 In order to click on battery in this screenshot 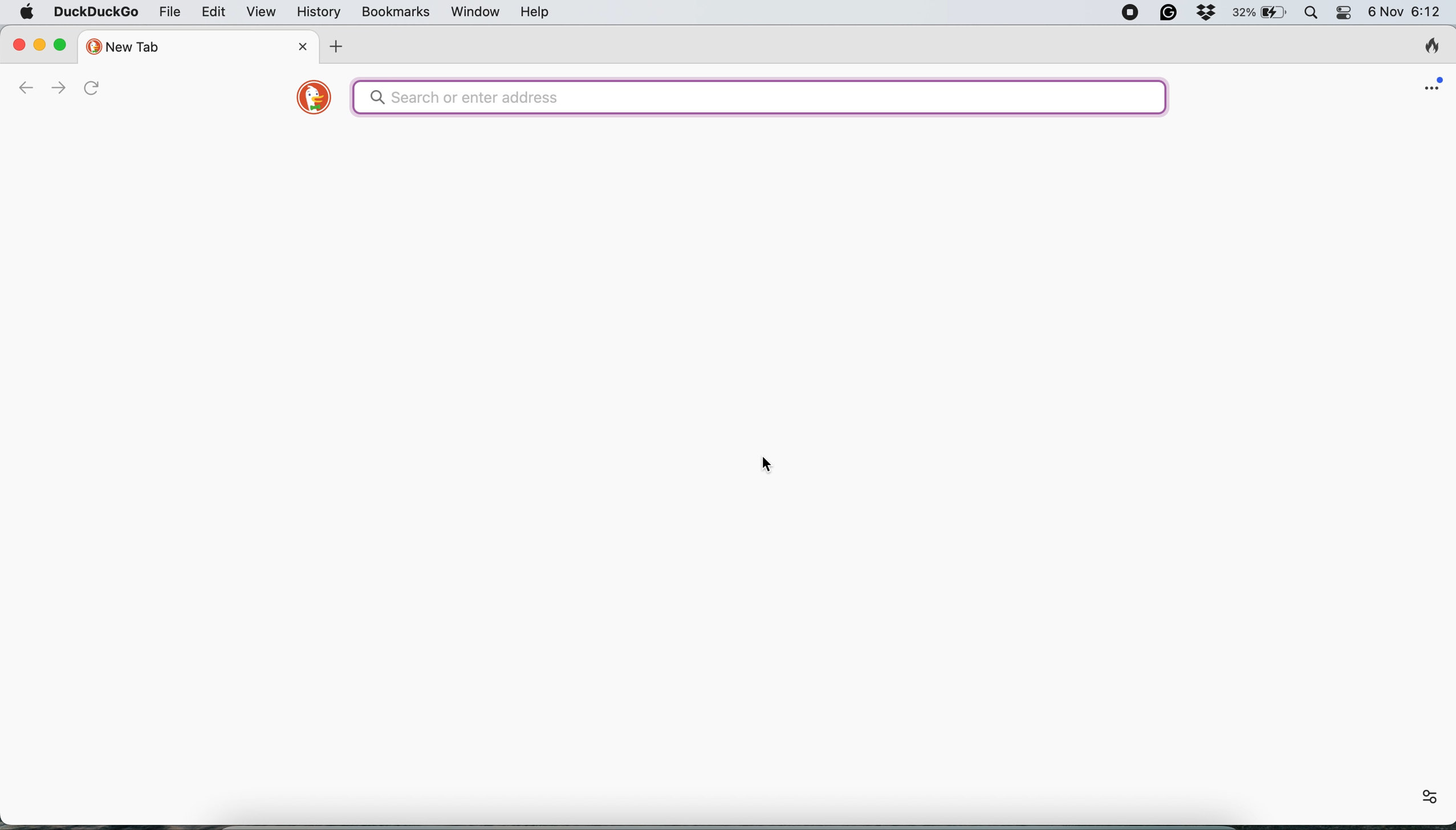, I will do `click(1260, 13)`.